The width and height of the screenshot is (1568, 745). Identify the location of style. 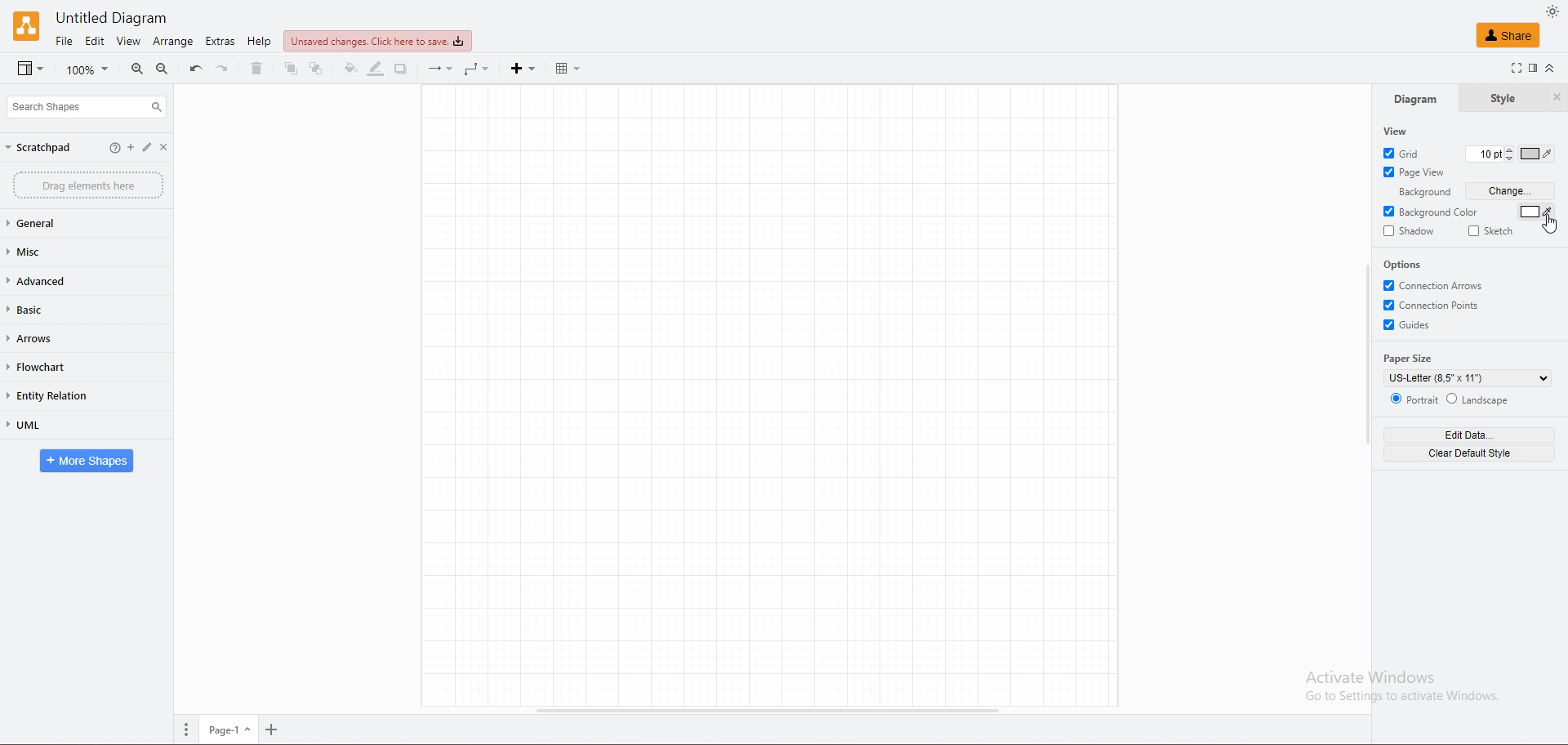
(1502, 99).